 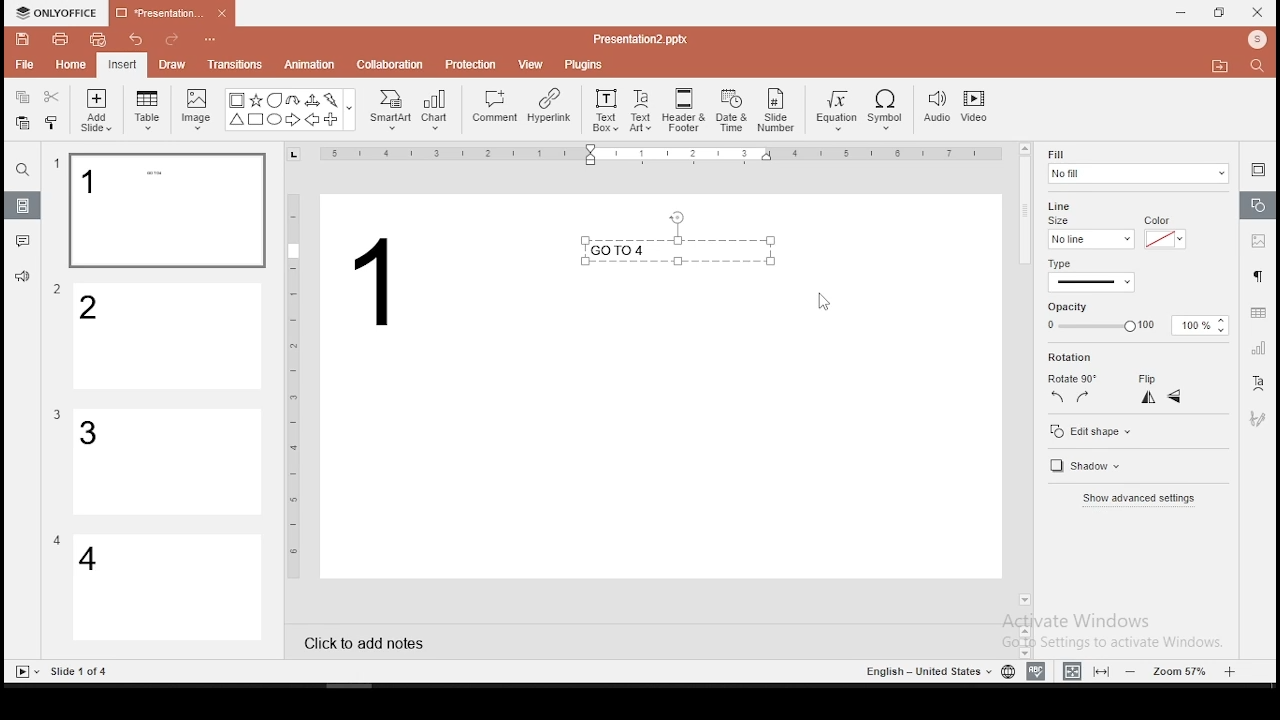 I want to click on fit to width, so click(x=1068, y=670).